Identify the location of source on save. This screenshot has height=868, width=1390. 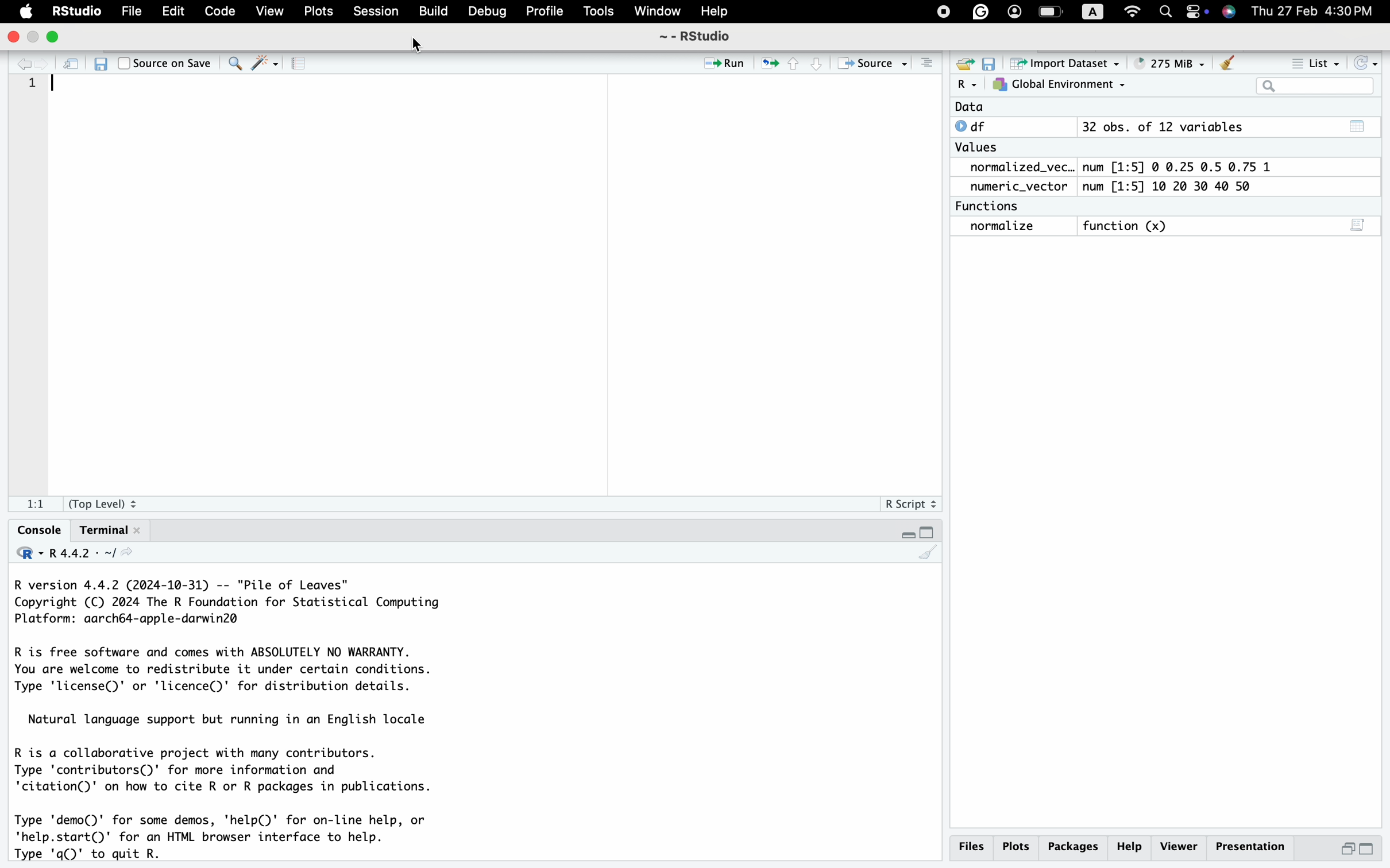
(164, 63).